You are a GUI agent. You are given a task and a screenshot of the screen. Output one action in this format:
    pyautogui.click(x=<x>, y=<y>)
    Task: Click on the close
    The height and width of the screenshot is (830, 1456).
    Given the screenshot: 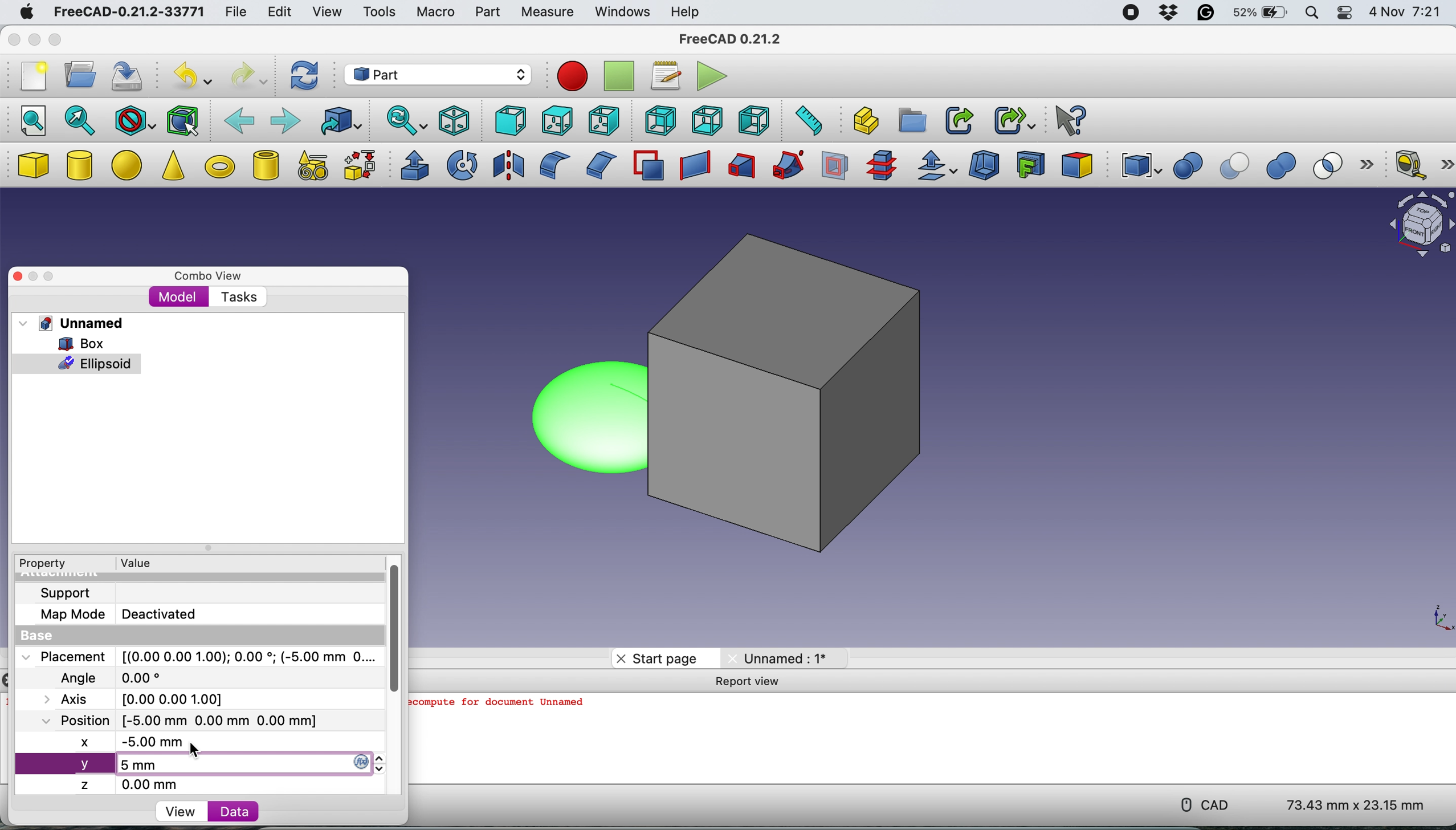 What is the action you would take?
    pyautogui.click(x=18, y=276)
    